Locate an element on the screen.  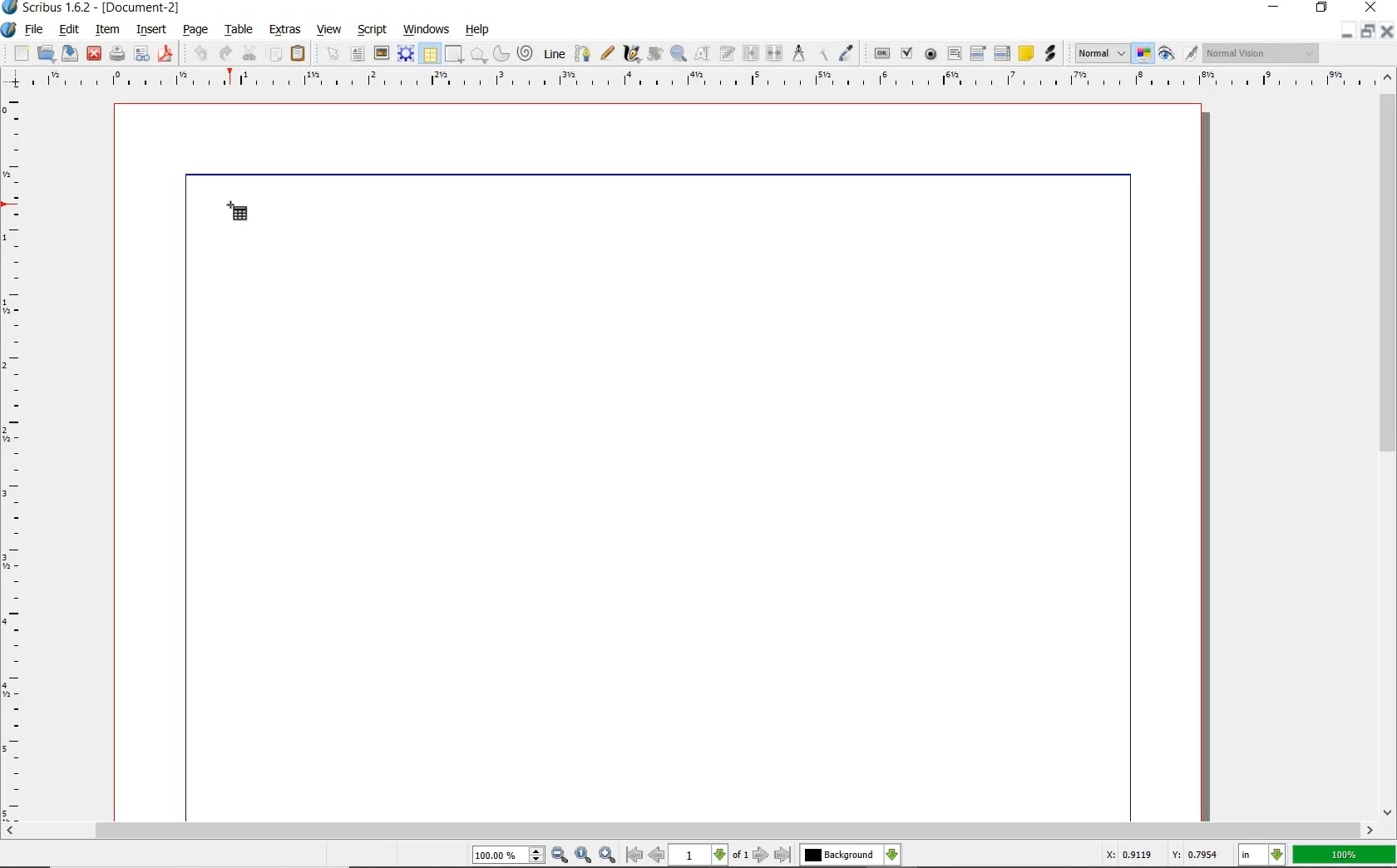
restore is located at coordinates (1322, 8).